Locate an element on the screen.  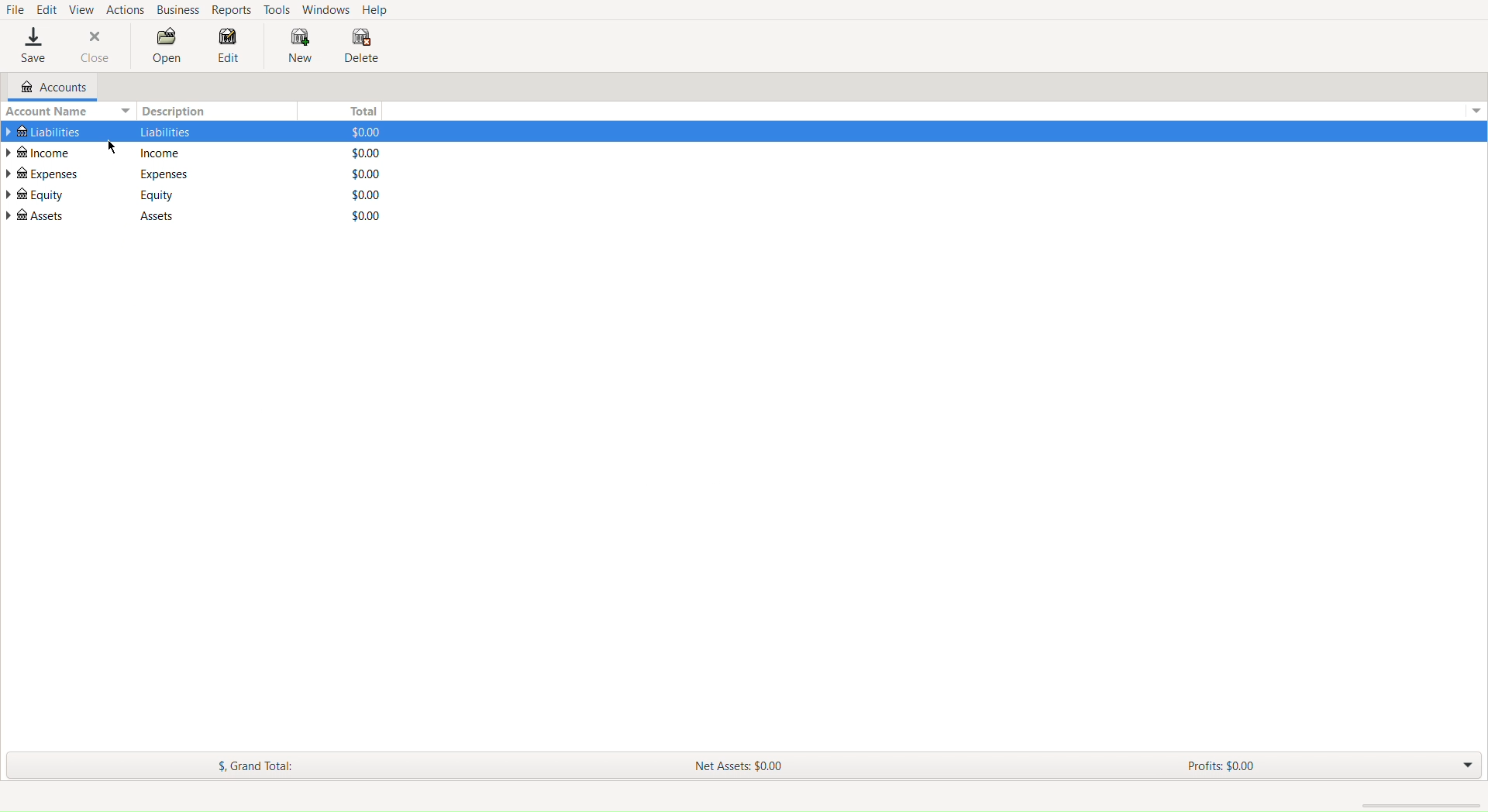
Drop Down is located at coordinates (1473, 112).